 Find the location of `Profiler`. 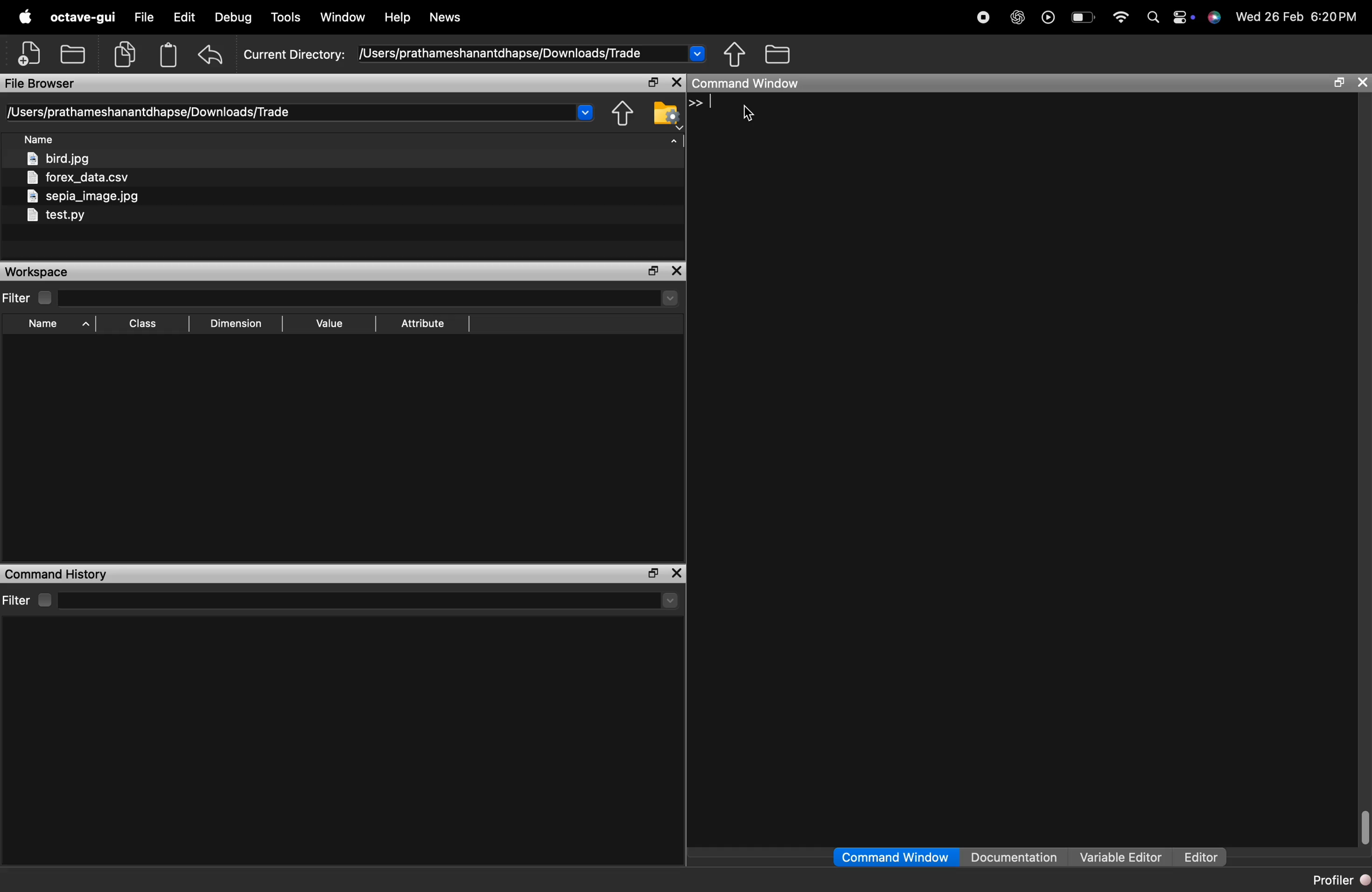

Profiler is located at coordinates (1340, 879).